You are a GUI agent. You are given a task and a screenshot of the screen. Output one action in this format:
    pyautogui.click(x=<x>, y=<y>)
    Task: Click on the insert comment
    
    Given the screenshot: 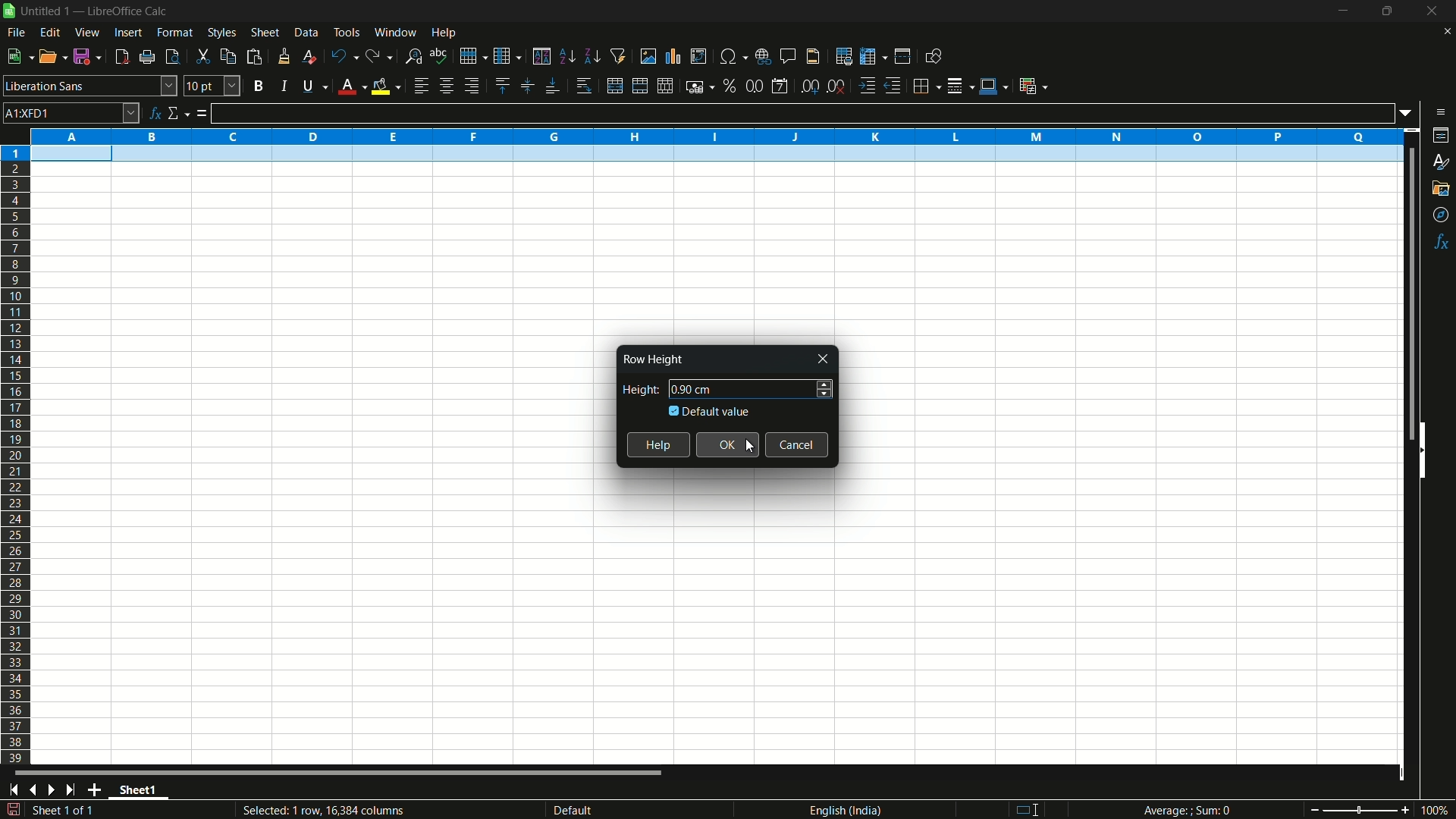 What is the action you would take?
    pyautogui.click(x=789, y=56)
    